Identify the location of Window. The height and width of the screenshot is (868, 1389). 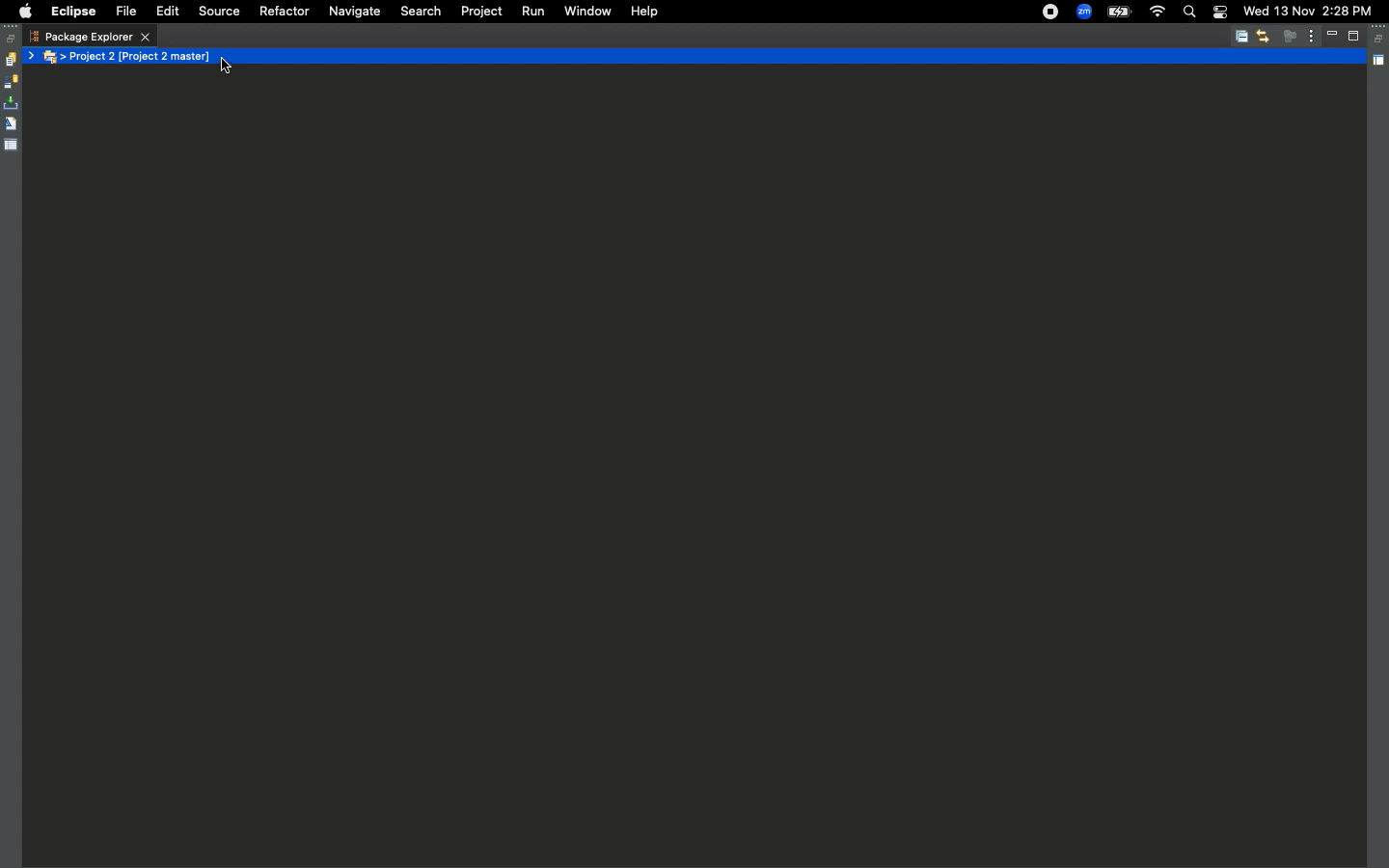
(586, 10).